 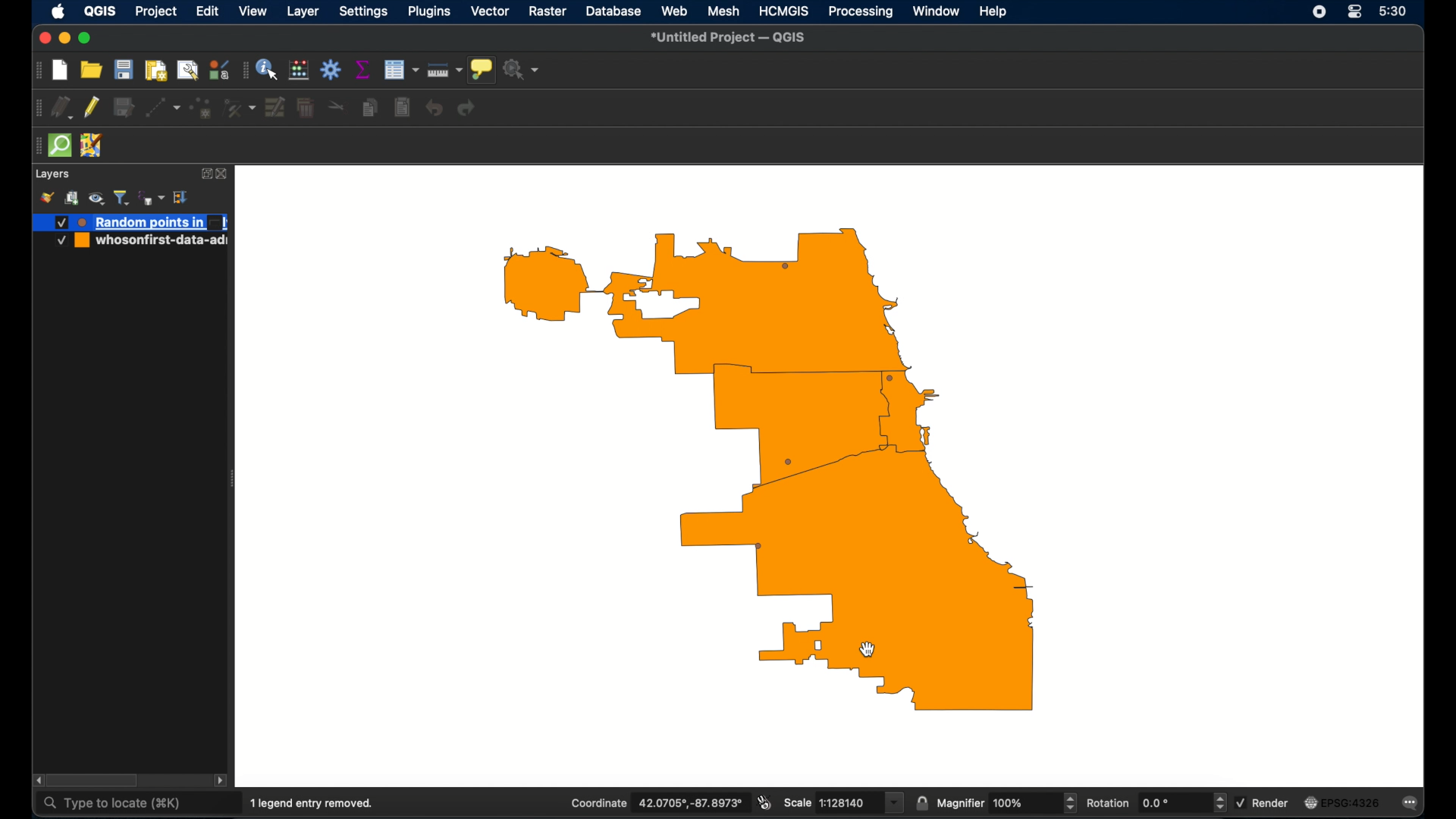 I want to click on manage map theme, so click(x=98, y=199).